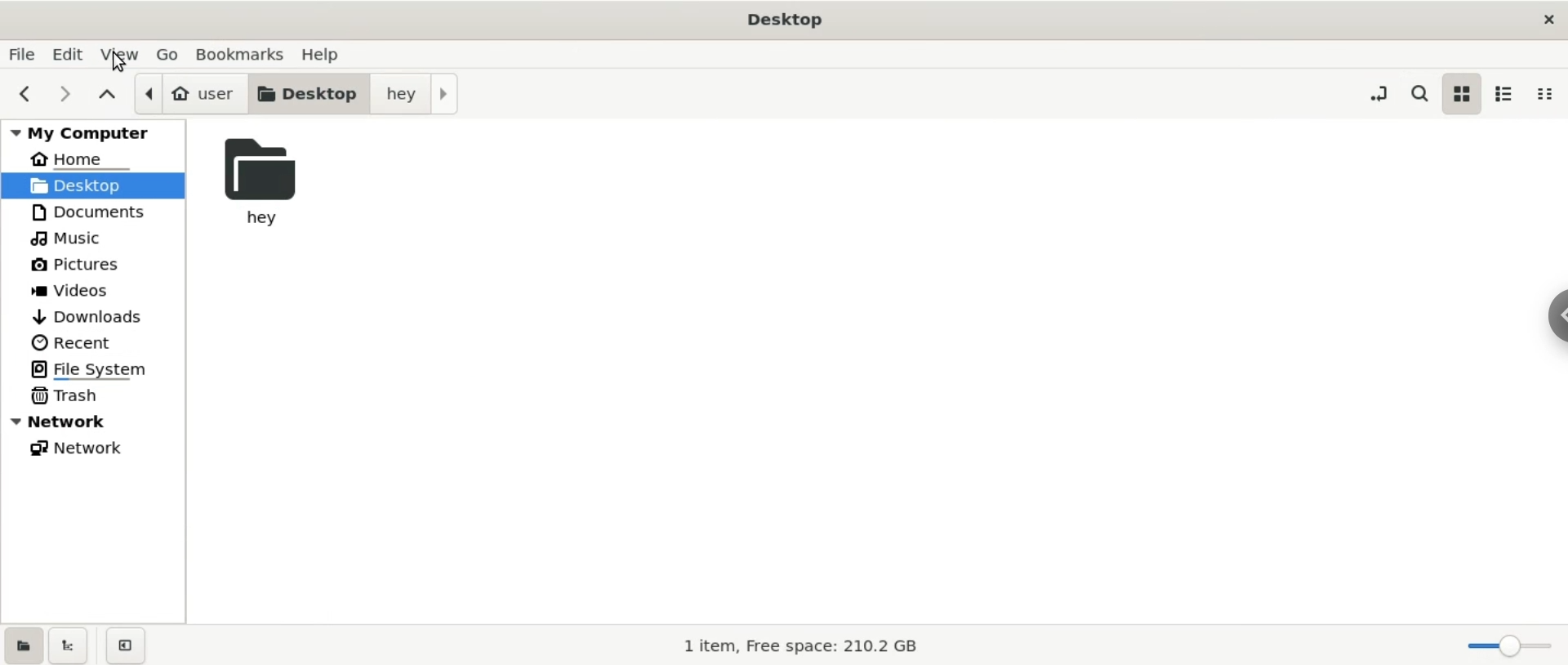 Image resolution: width=1568 pixels, height=665 pixels. I want to click on help, so click(331, 53).